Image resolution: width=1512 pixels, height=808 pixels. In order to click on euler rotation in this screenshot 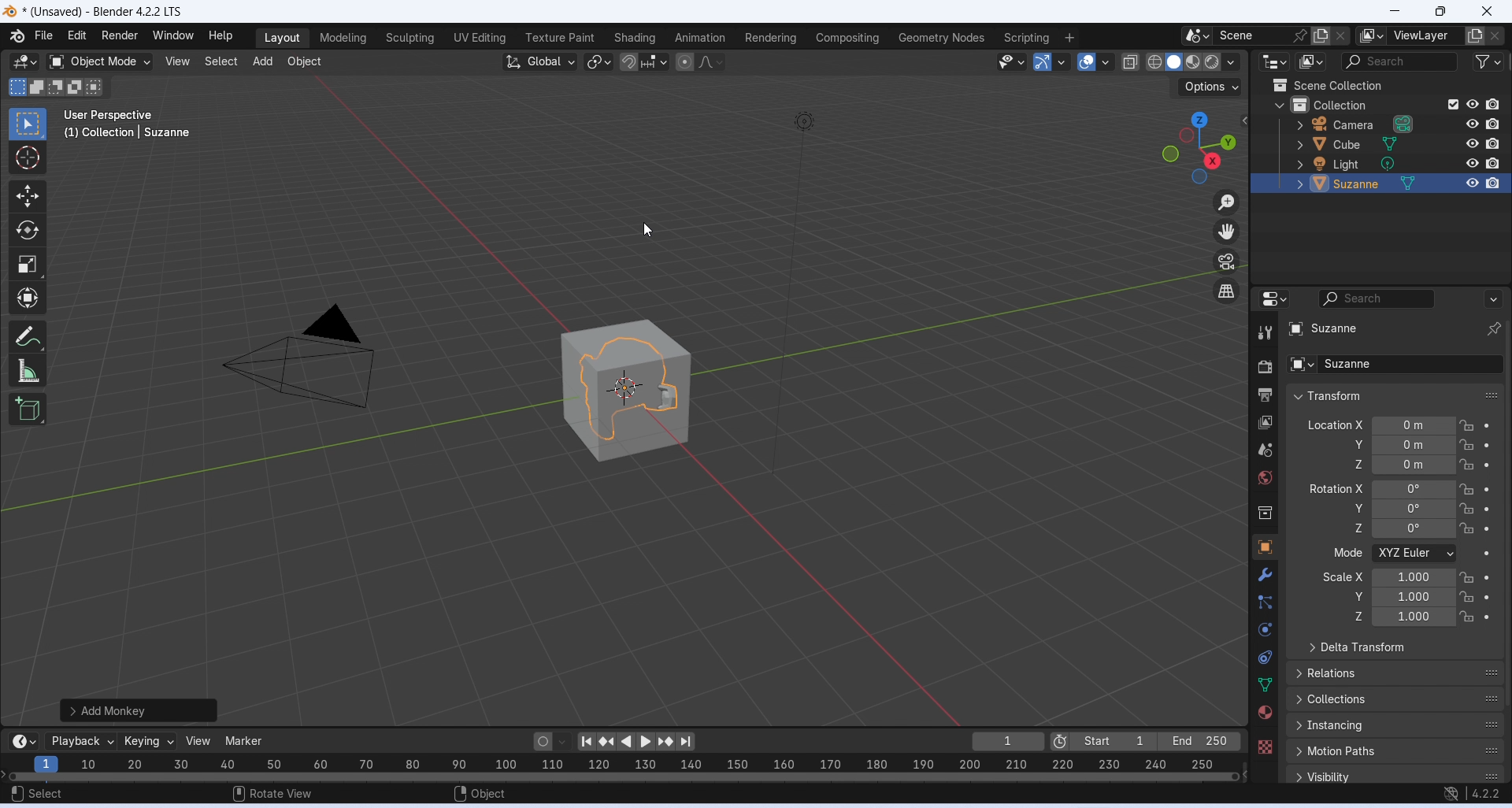, I will do `click(1414, 508)`.